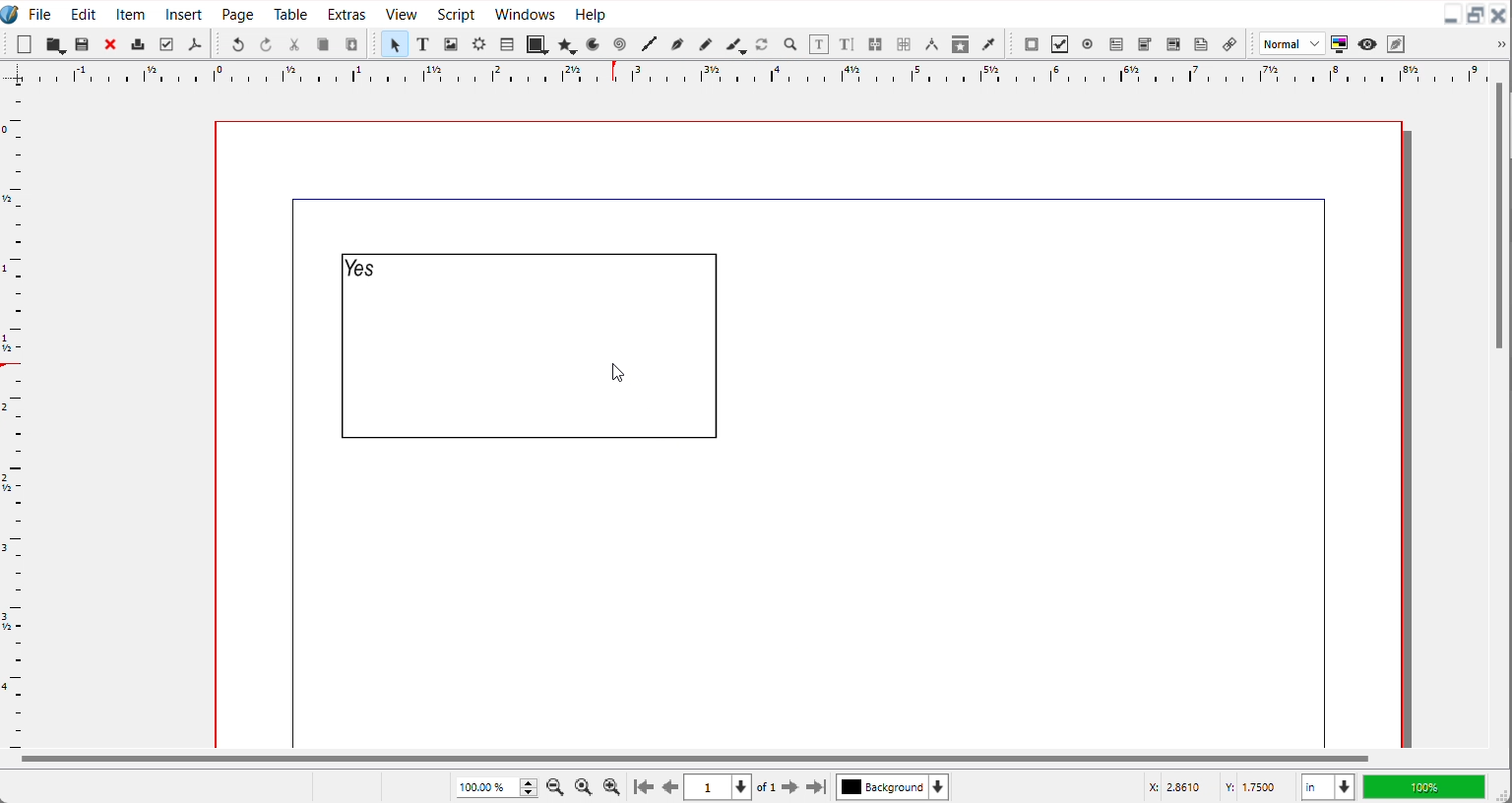  Describe the element at coordinates (1087, 44) in the screenshot. I see `PDF radio button` at that location.